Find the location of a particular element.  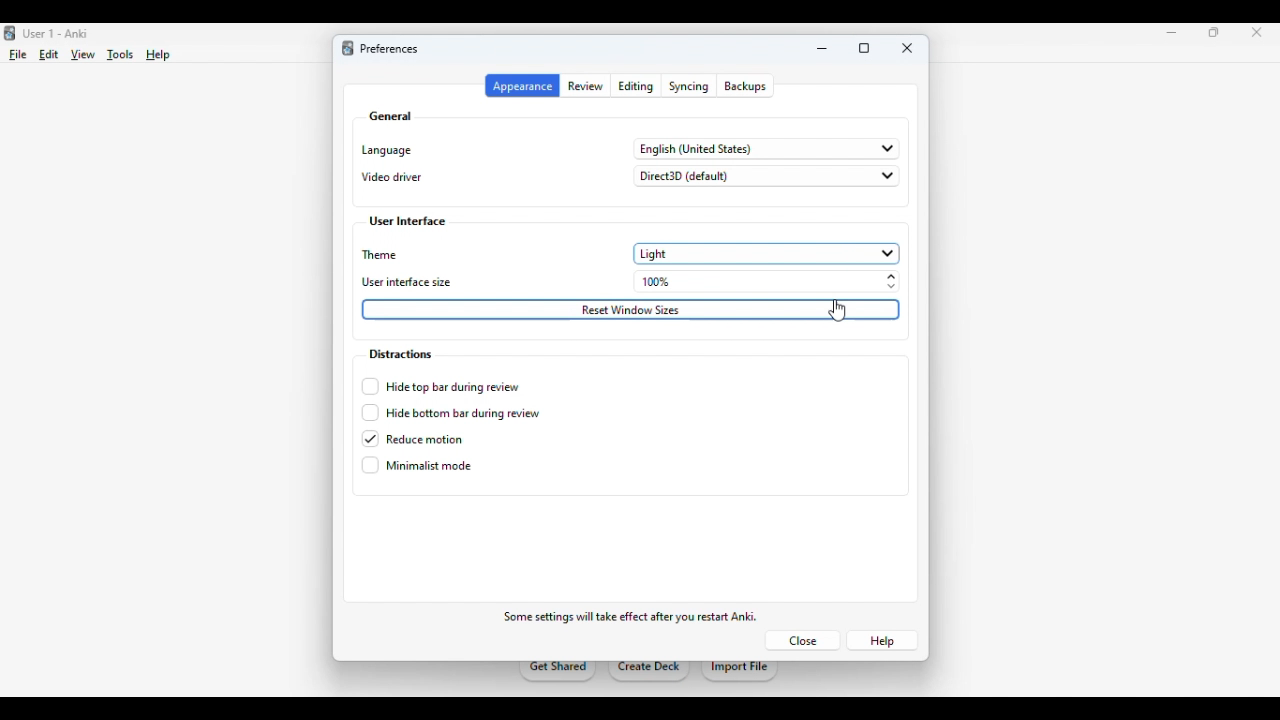

backups is located at coordinates (745, 86).